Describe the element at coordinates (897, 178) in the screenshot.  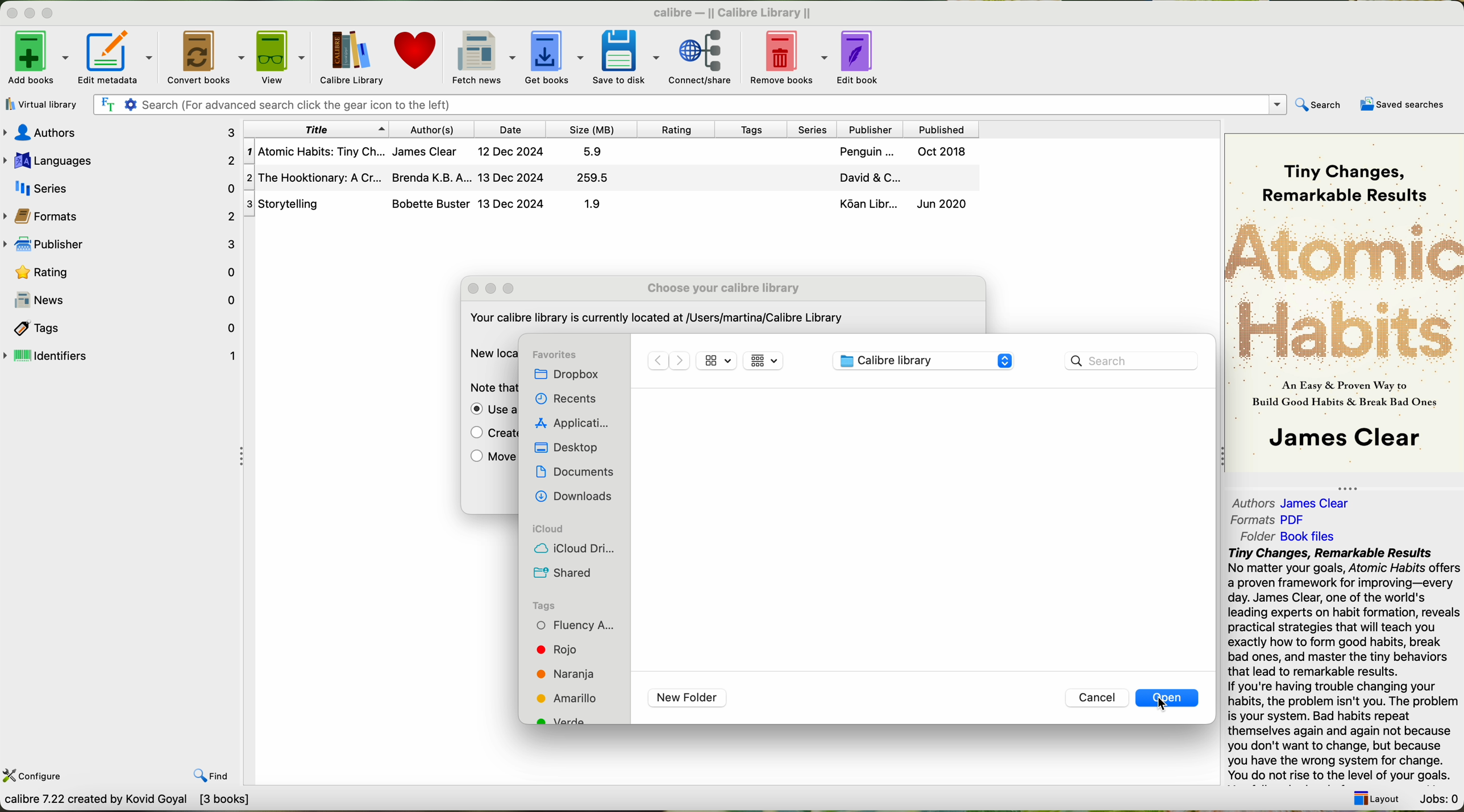
I see `David & C...` at that location.